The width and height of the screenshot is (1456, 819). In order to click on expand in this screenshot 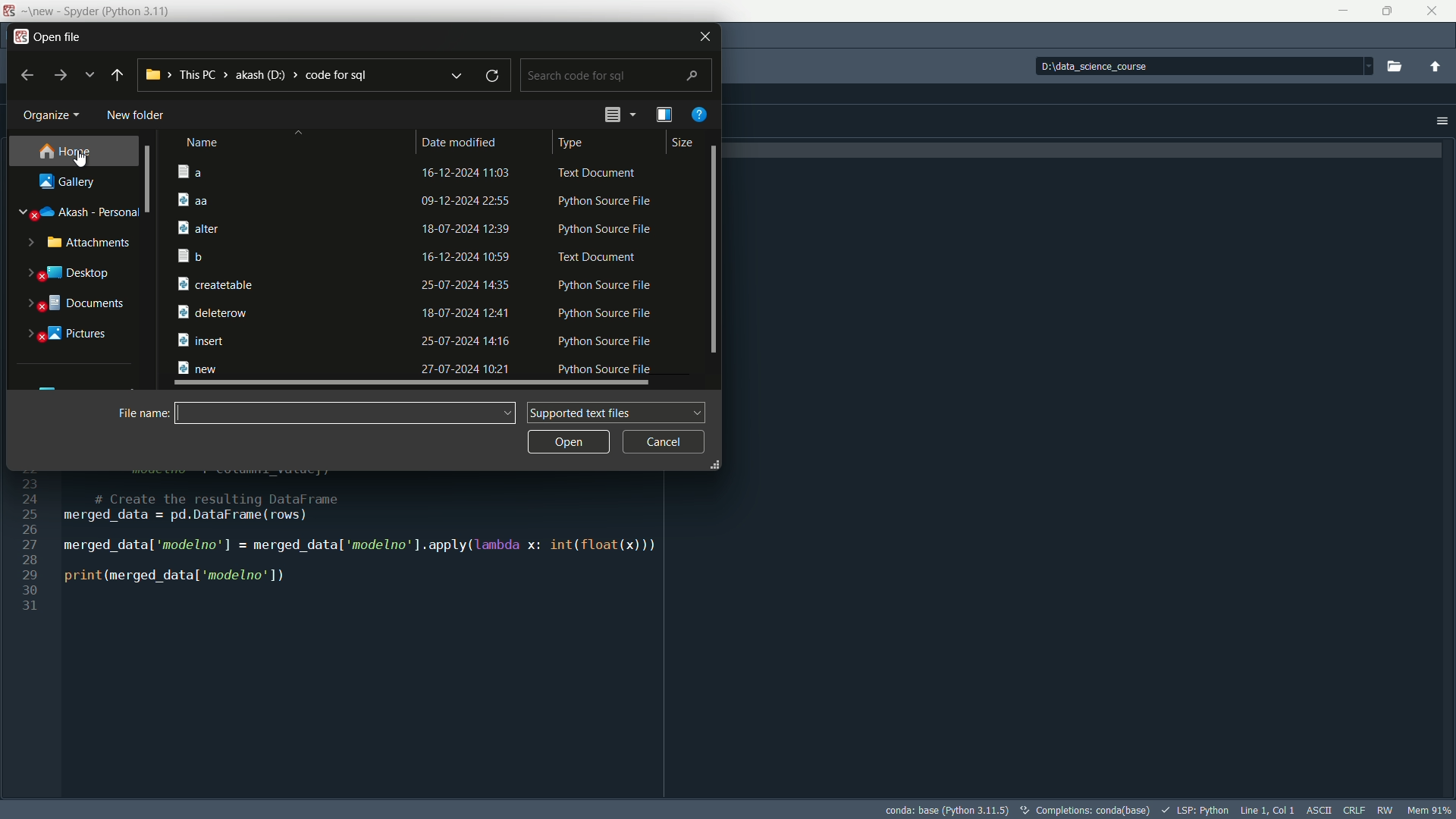, I will do `click(30, 334)`.